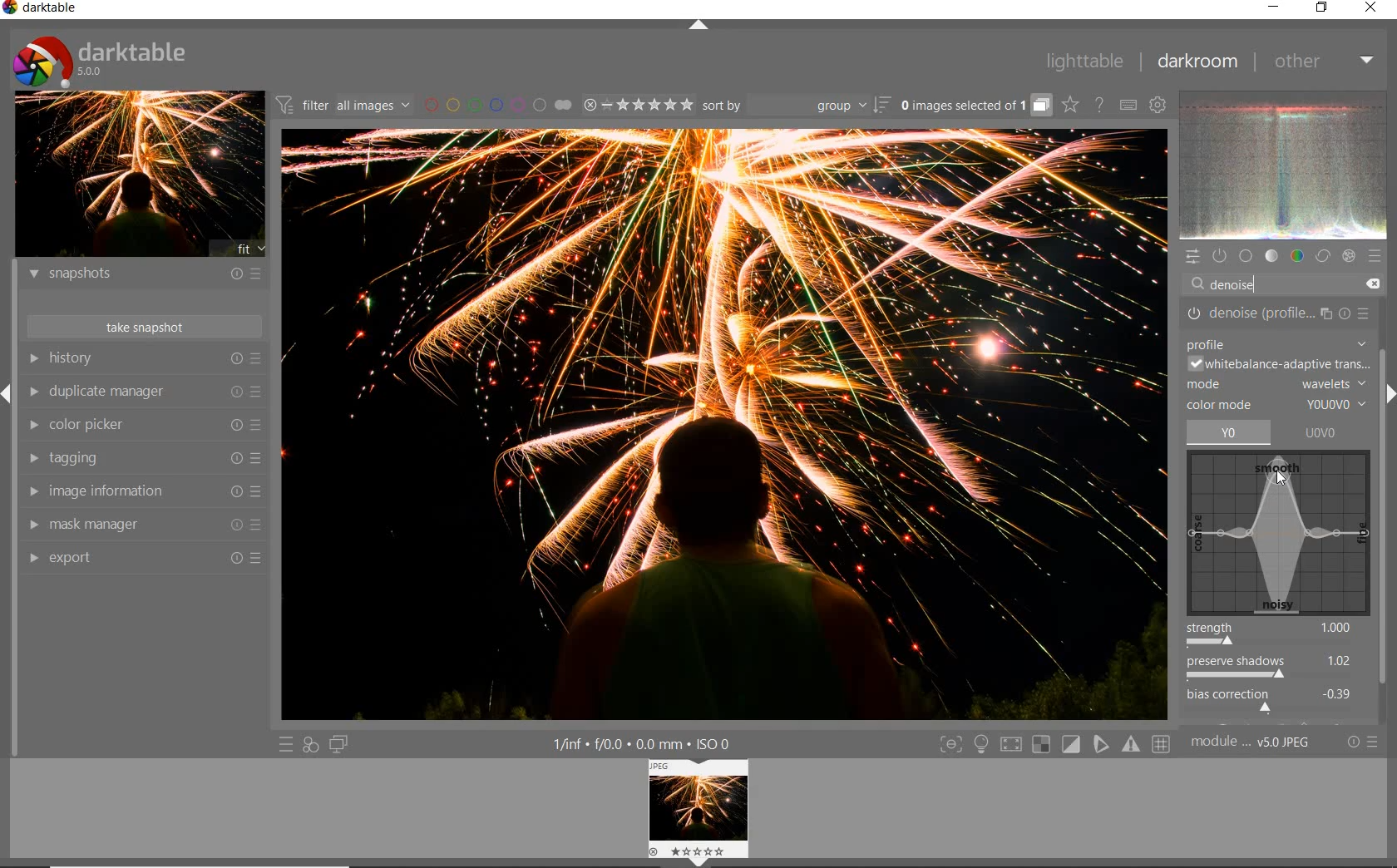 Image resolution: width=1397 pixels, height=868 pixels. I want to click on effect, so click(1349, 257).